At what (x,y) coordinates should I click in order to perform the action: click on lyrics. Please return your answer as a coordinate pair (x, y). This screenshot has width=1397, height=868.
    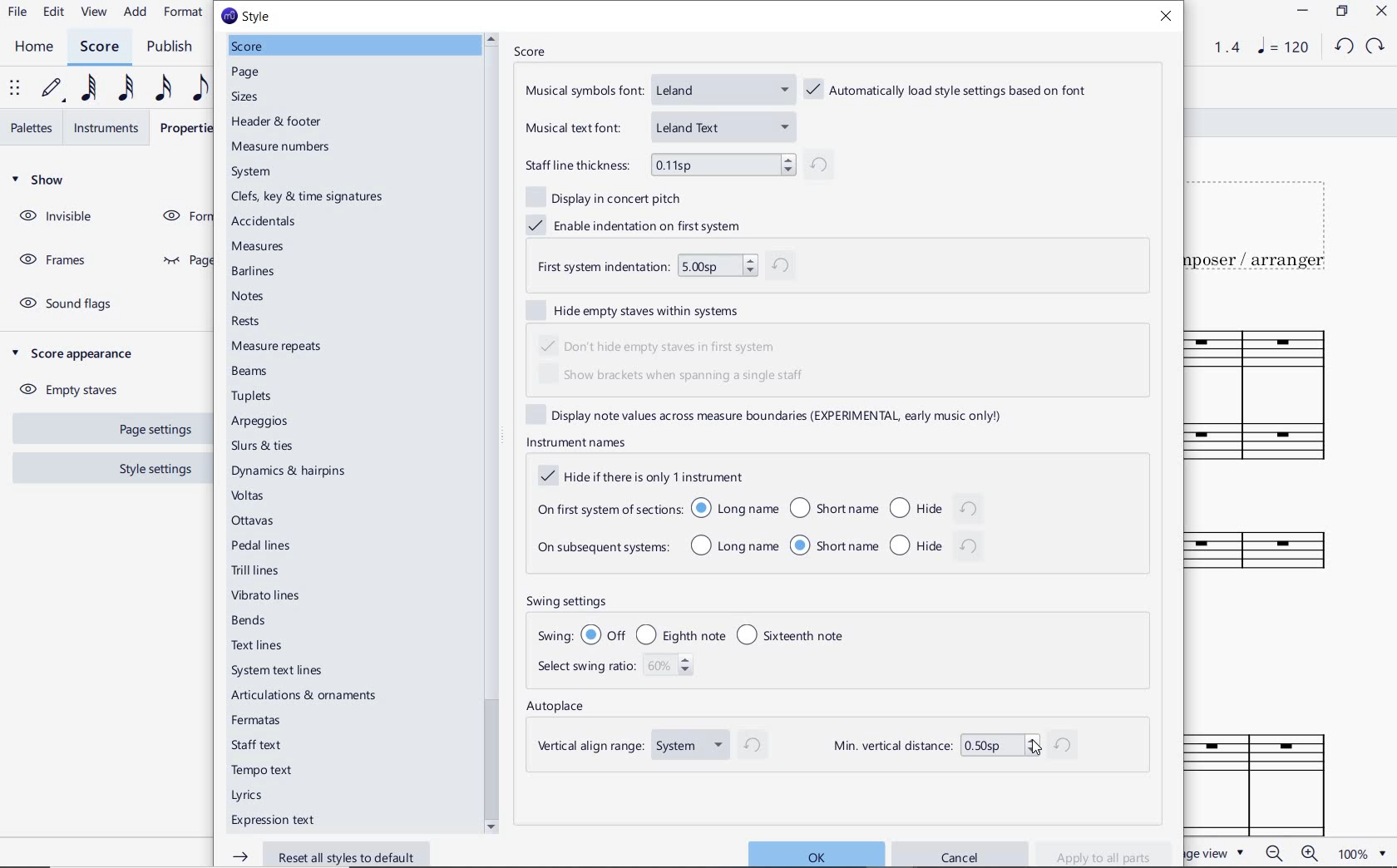
    Looking at the image, I should click on (249, 796).